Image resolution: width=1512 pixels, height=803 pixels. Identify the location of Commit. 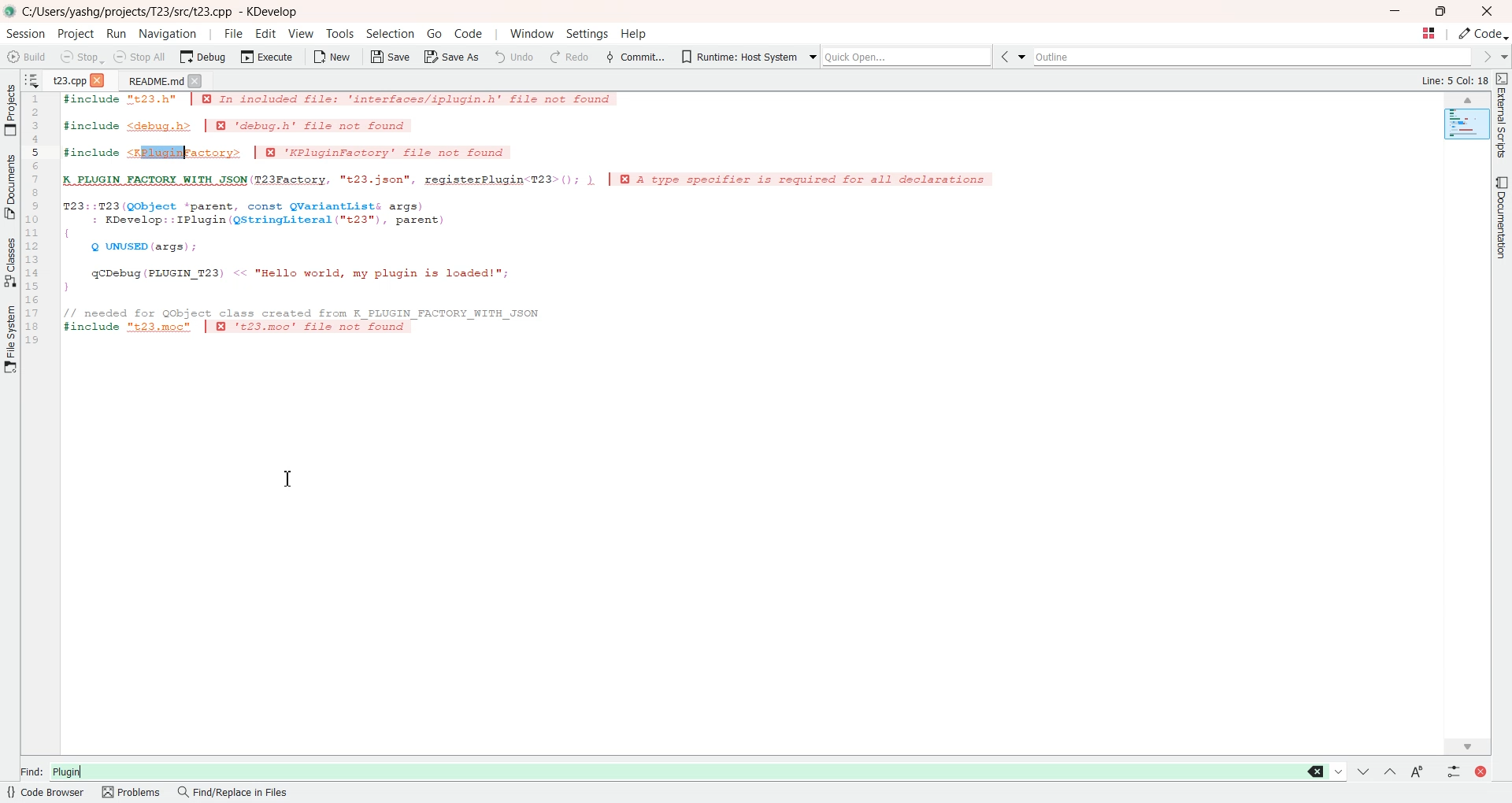
(634, 56).